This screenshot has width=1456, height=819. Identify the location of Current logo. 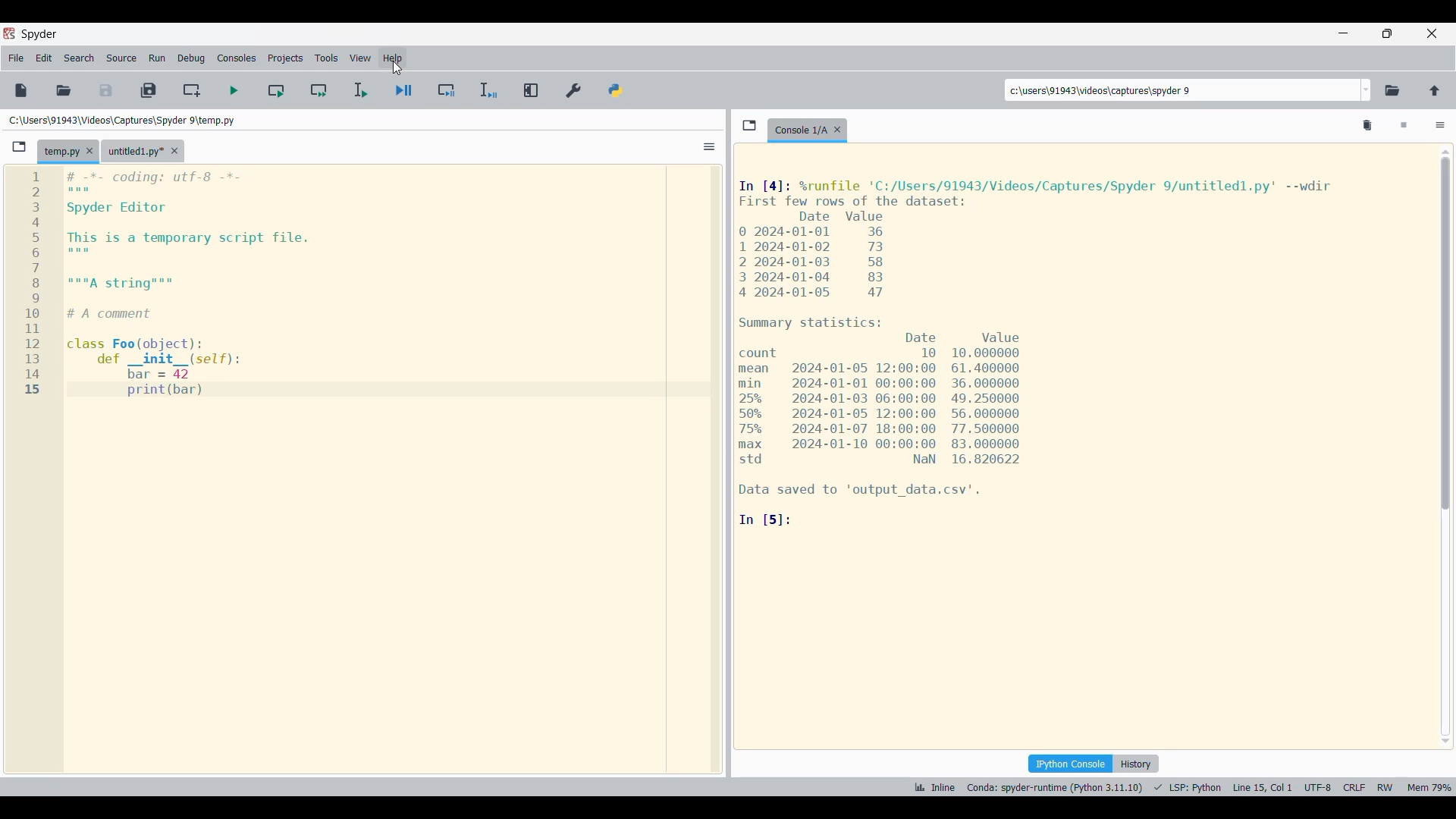
(344, 284).